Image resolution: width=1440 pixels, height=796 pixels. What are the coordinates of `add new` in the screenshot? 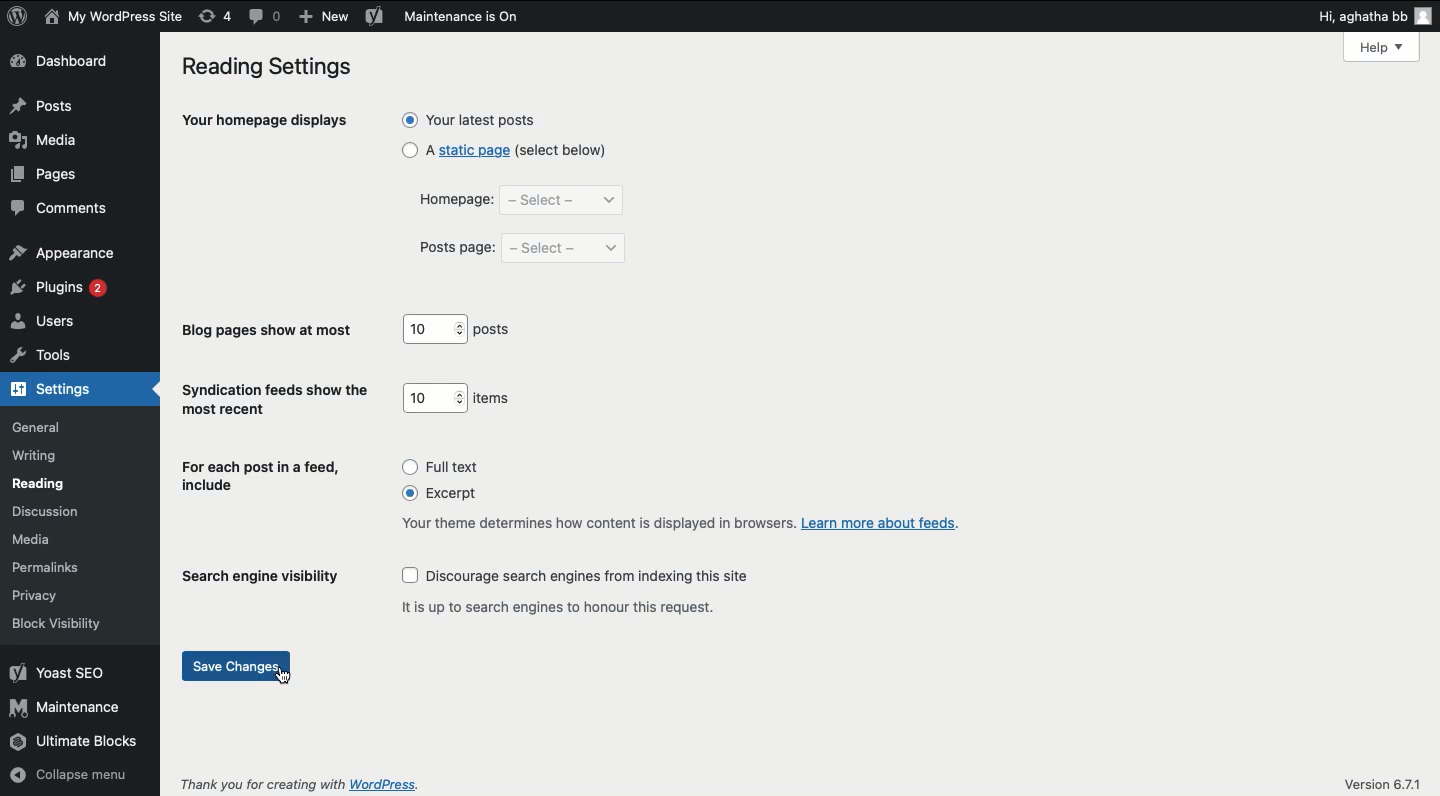 It's located at (323, 15).